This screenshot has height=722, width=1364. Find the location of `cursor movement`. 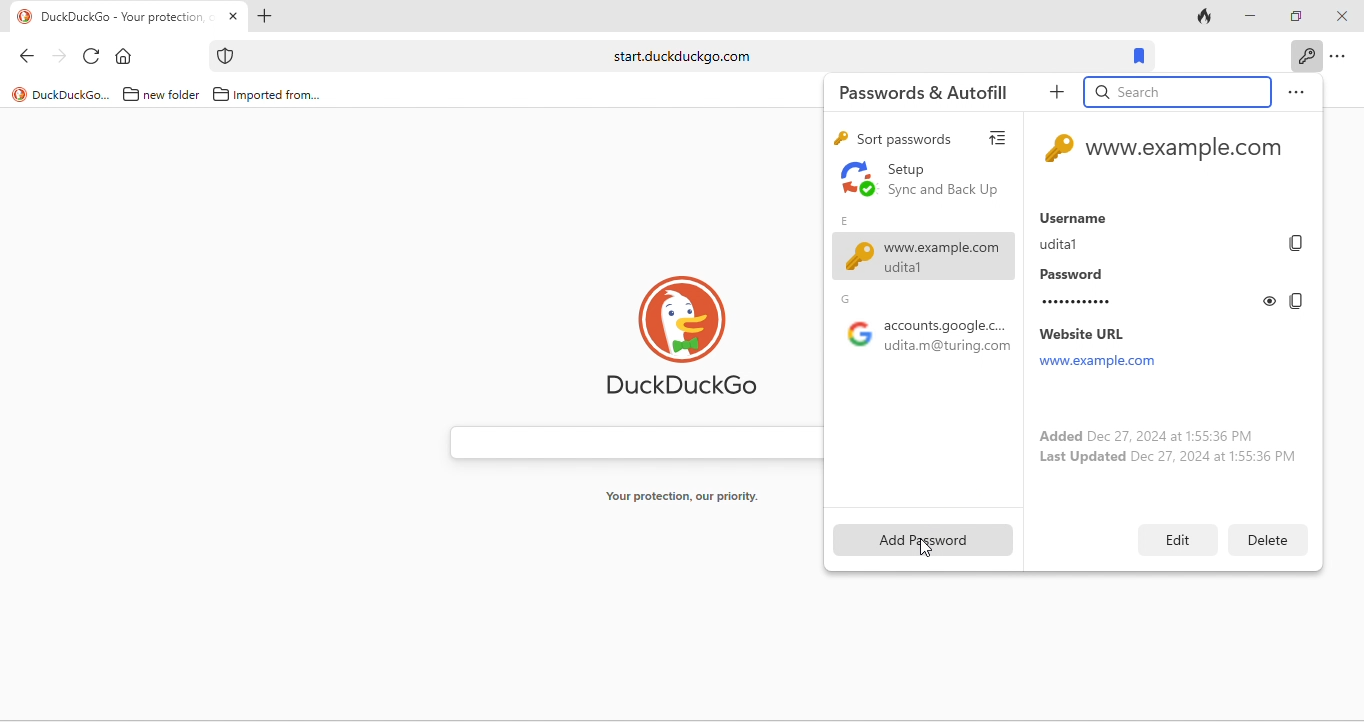

cursor movement is located at coordinates (925, 551).